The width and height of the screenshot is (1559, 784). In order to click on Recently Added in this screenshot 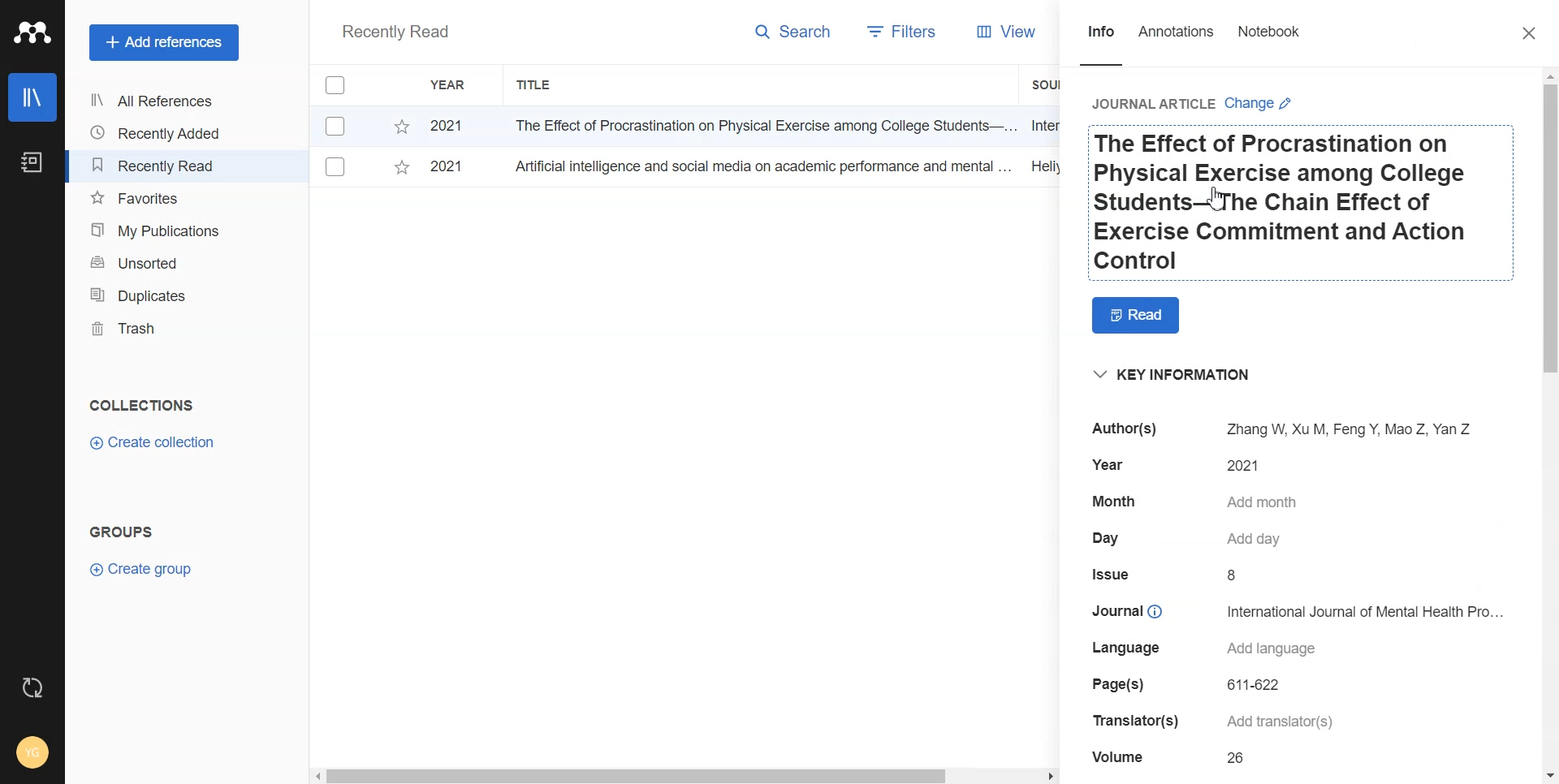, I will do `click(158, 133)`.